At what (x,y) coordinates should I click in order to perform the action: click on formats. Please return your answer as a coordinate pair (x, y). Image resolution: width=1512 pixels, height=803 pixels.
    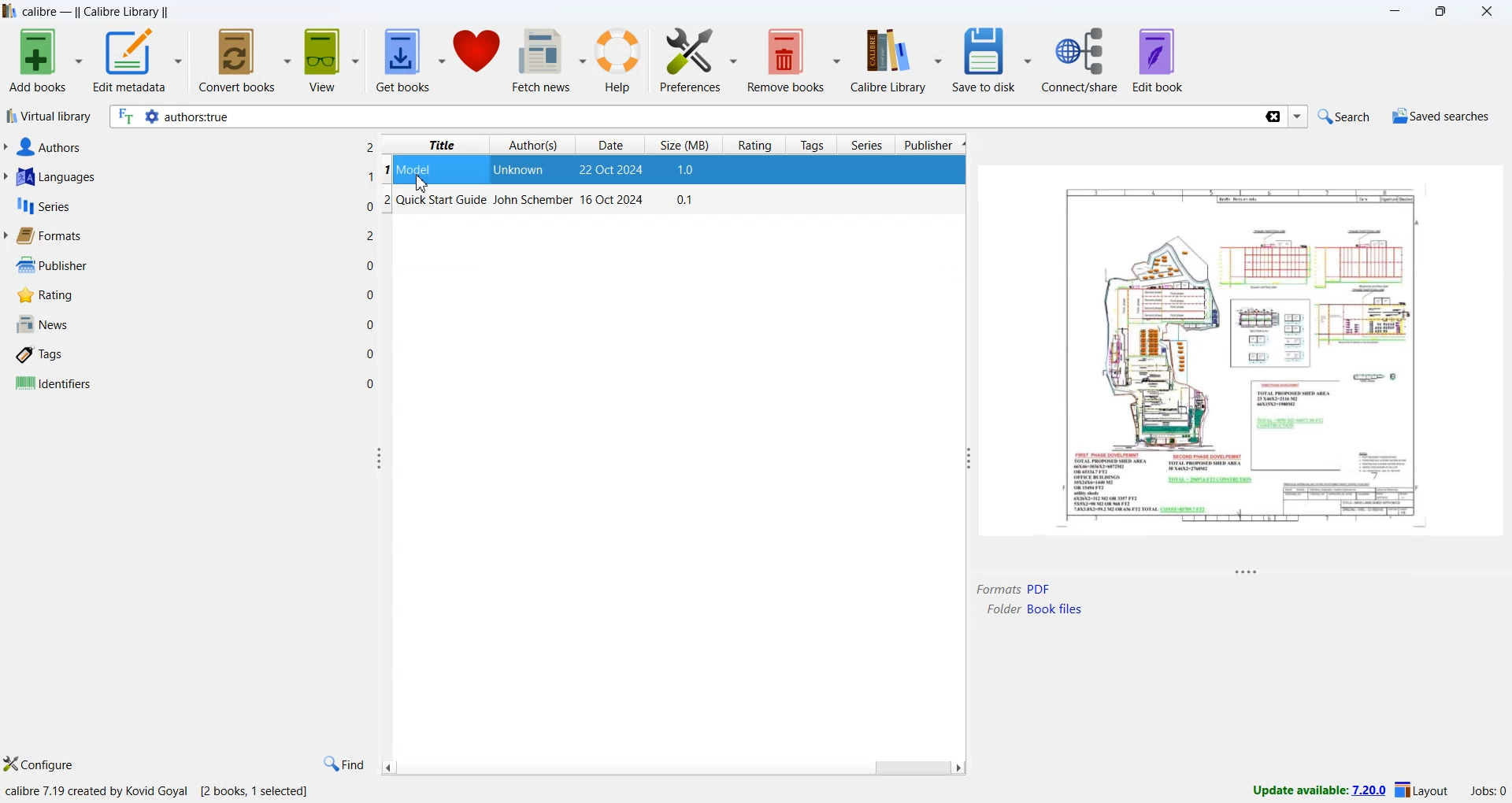
    Looking at the image, I should click on (48, 236).